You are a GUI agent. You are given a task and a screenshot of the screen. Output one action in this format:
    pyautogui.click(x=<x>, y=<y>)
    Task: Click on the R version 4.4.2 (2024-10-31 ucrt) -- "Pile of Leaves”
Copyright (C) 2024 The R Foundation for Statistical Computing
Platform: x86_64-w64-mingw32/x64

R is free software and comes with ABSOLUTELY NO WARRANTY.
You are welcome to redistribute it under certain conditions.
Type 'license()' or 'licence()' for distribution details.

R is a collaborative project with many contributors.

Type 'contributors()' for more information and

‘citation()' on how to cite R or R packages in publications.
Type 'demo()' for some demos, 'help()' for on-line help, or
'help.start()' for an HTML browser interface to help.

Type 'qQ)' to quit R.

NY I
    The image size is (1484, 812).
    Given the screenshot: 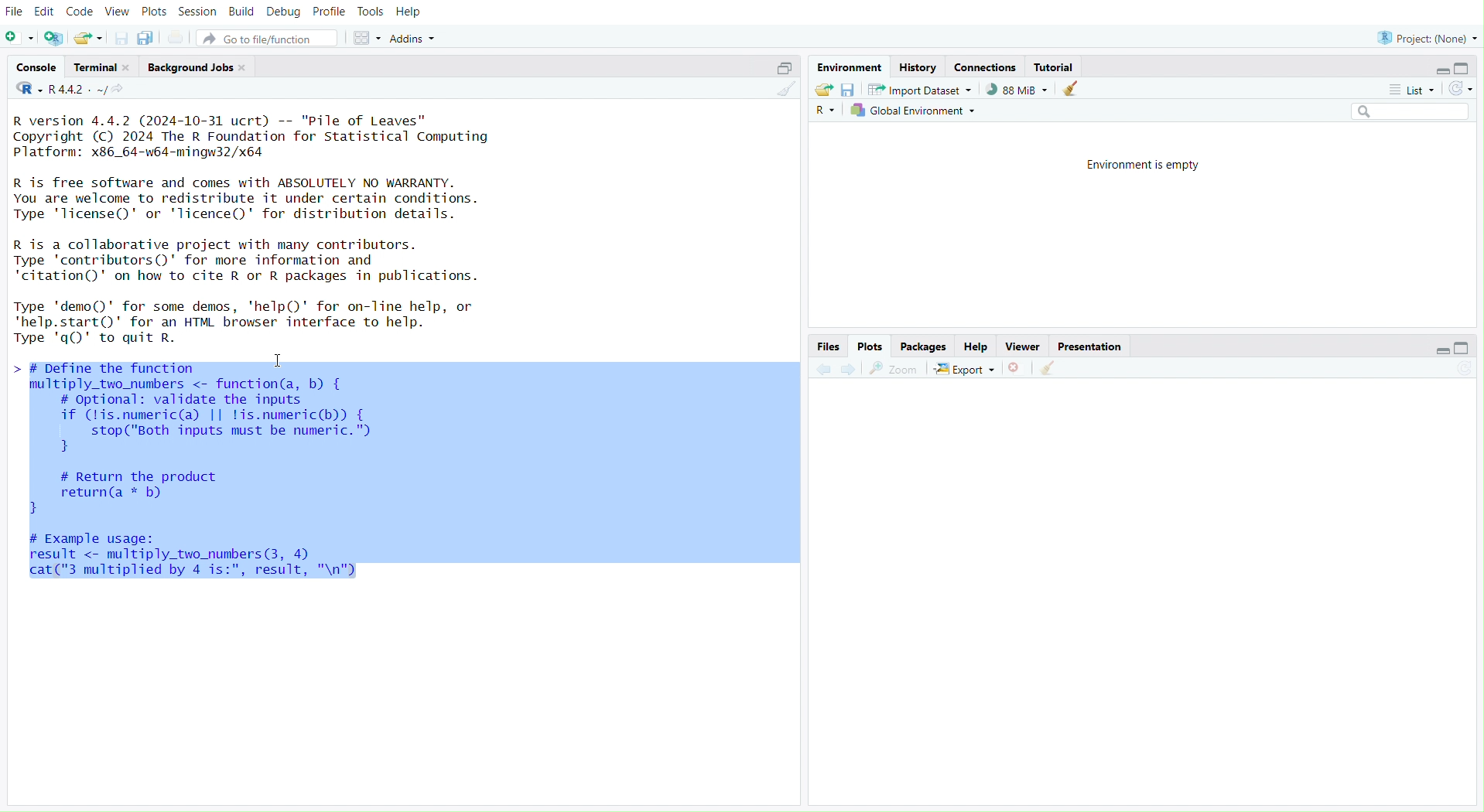 What is the action you would take?
    pyautogui.click(x=274, y=227)
    